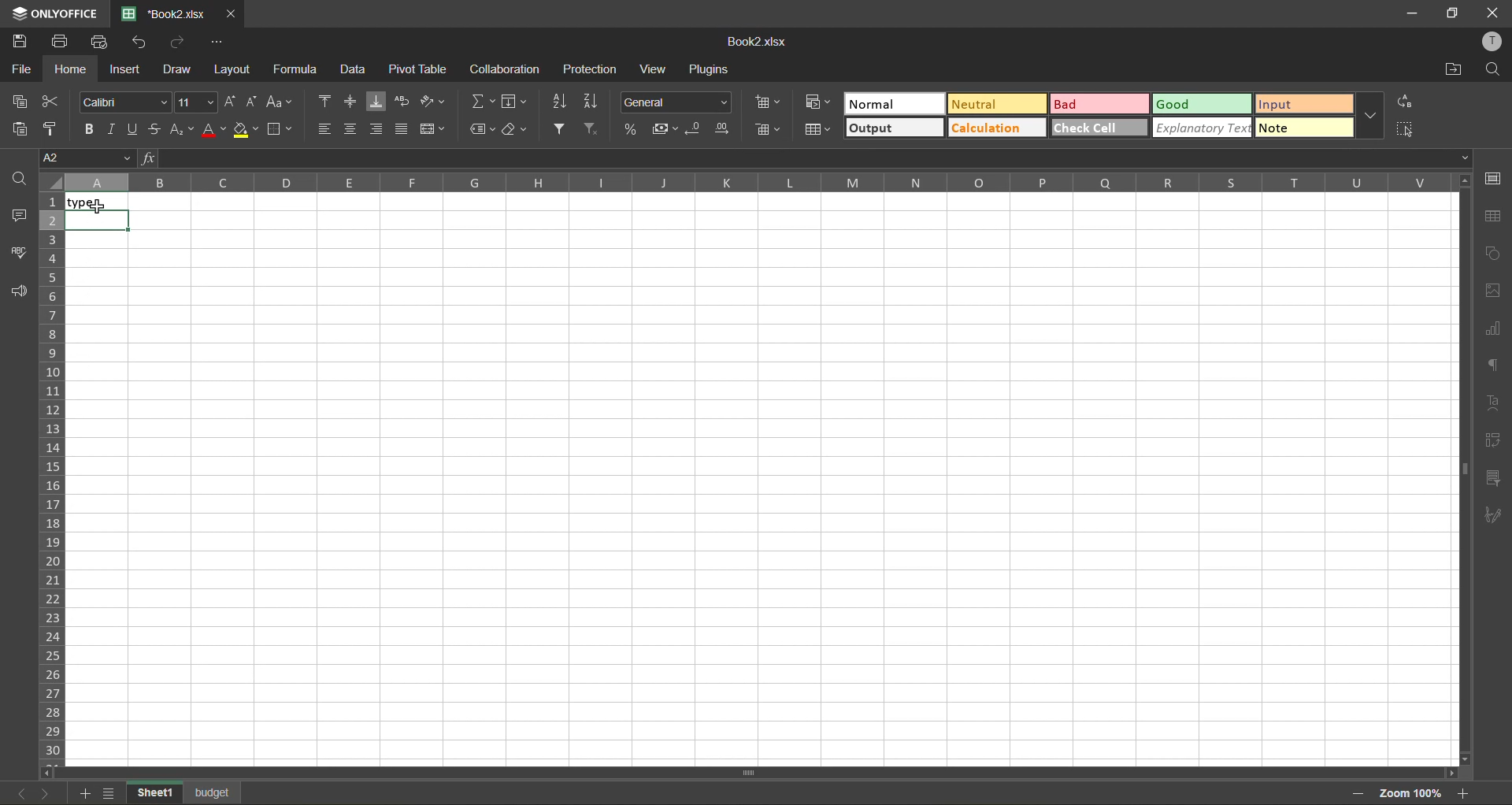  What do you see at coordinates (1370, 117) in the screenshot?
I see `more options` at bounding box center [1370, 117].